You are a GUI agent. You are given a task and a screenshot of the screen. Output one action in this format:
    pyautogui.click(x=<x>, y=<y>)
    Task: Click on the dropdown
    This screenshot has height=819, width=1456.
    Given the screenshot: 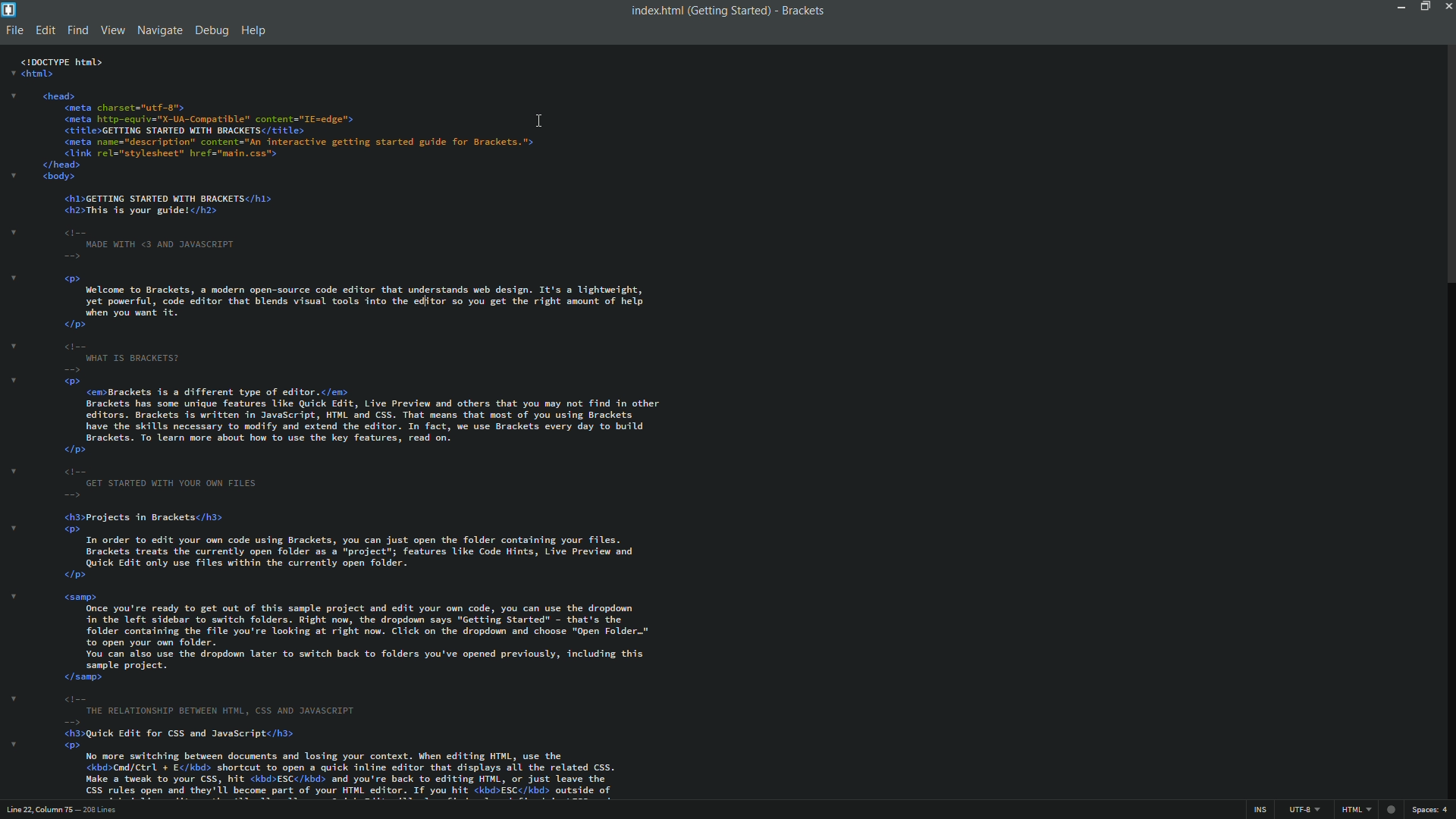 What is the action you would take?
    pyautogui.click(x=13, y=231)
    